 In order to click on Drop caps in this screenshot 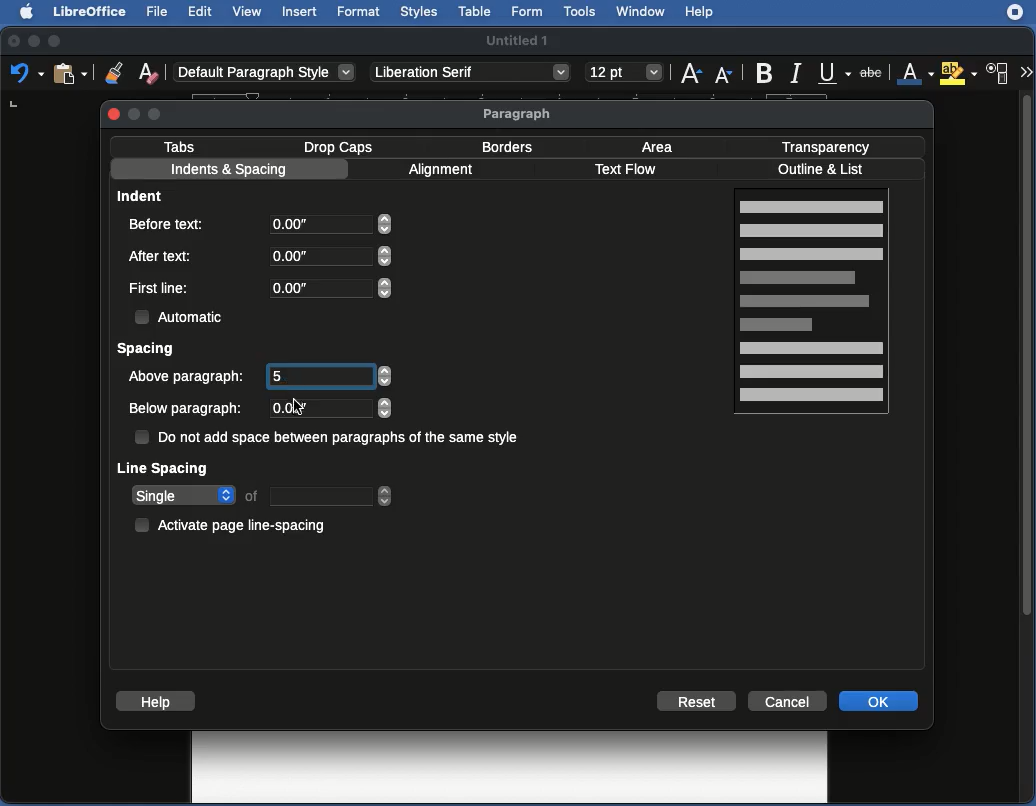, I will do `click(342, 146)`.